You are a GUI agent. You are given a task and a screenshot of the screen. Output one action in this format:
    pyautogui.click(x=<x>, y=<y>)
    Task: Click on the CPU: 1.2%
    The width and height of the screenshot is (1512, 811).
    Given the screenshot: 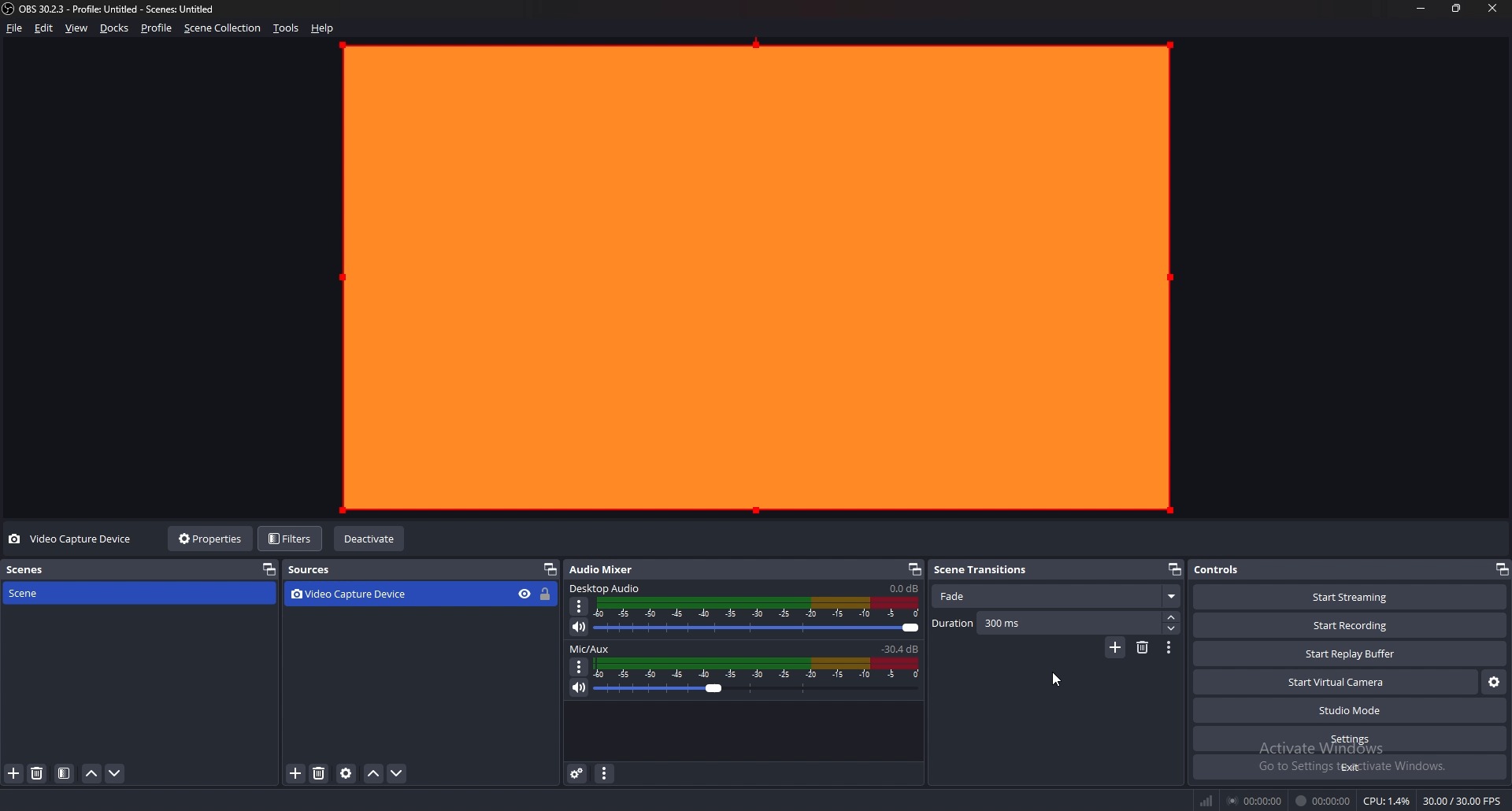 What is the action you would take?
    pyautogui.click(x=1388, y=801)
    